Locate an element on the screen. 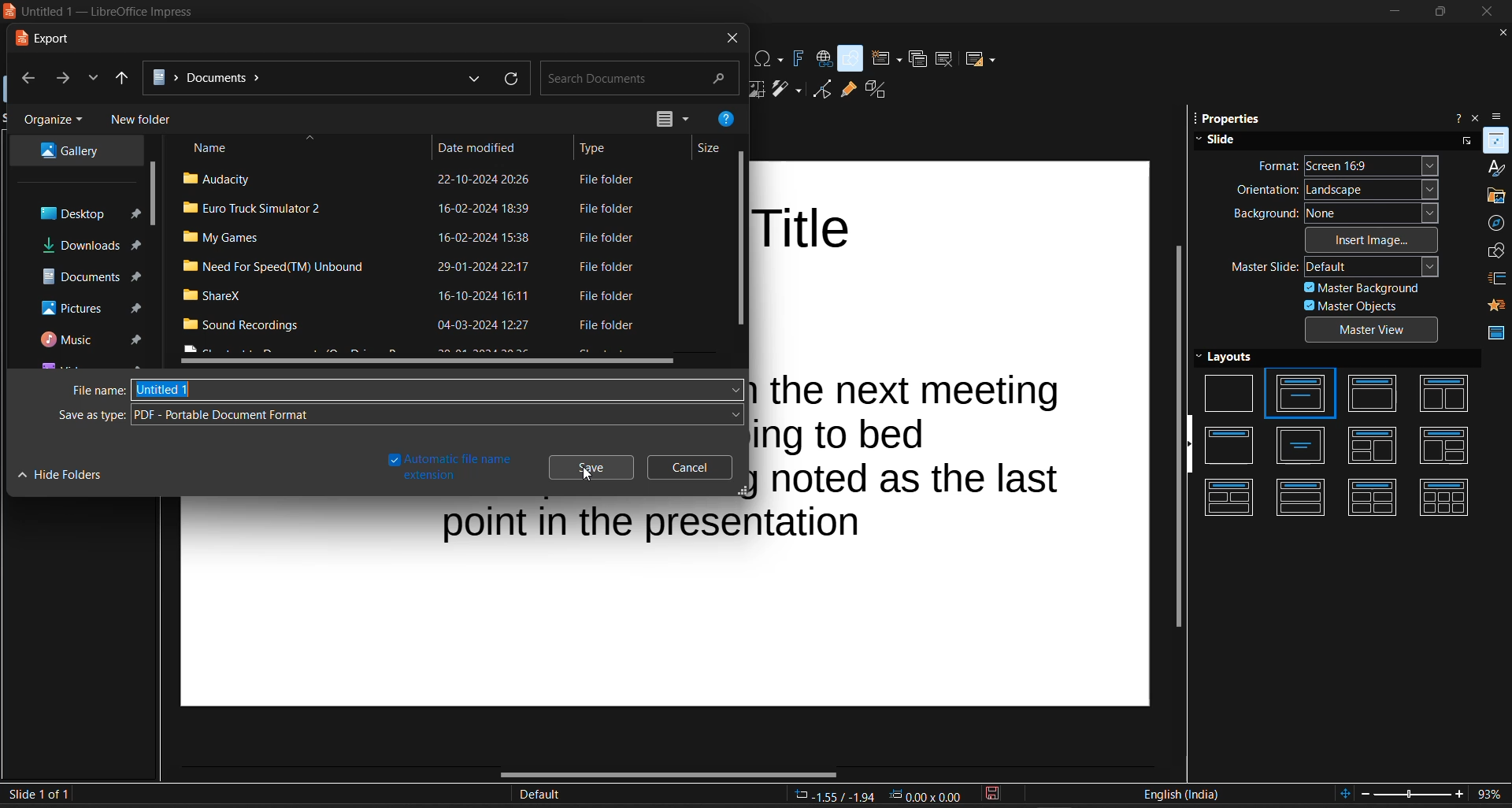  file  name is located at coordinates (409, 390).